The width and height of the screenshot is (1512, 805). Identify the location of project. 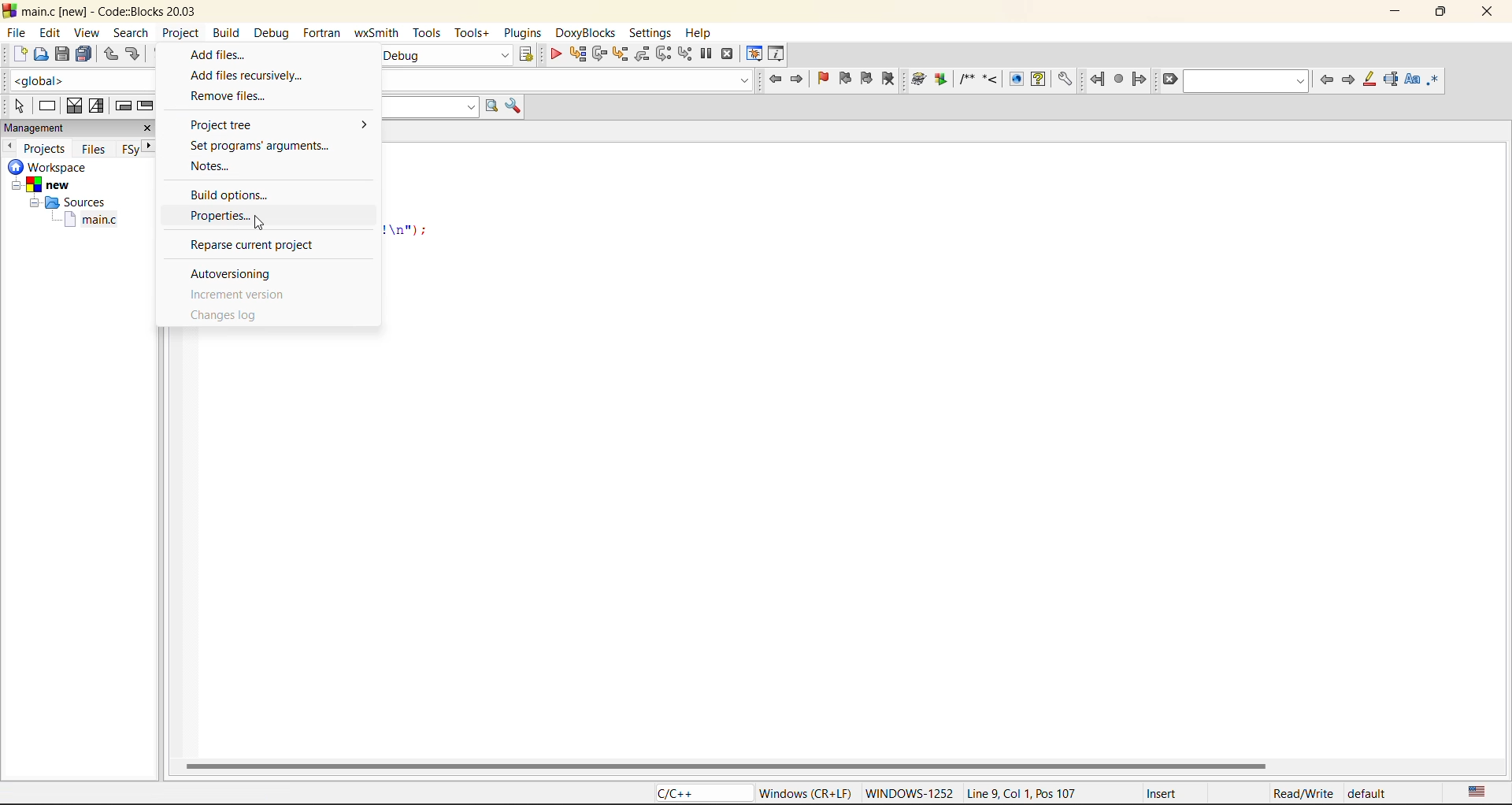
(180, 34).